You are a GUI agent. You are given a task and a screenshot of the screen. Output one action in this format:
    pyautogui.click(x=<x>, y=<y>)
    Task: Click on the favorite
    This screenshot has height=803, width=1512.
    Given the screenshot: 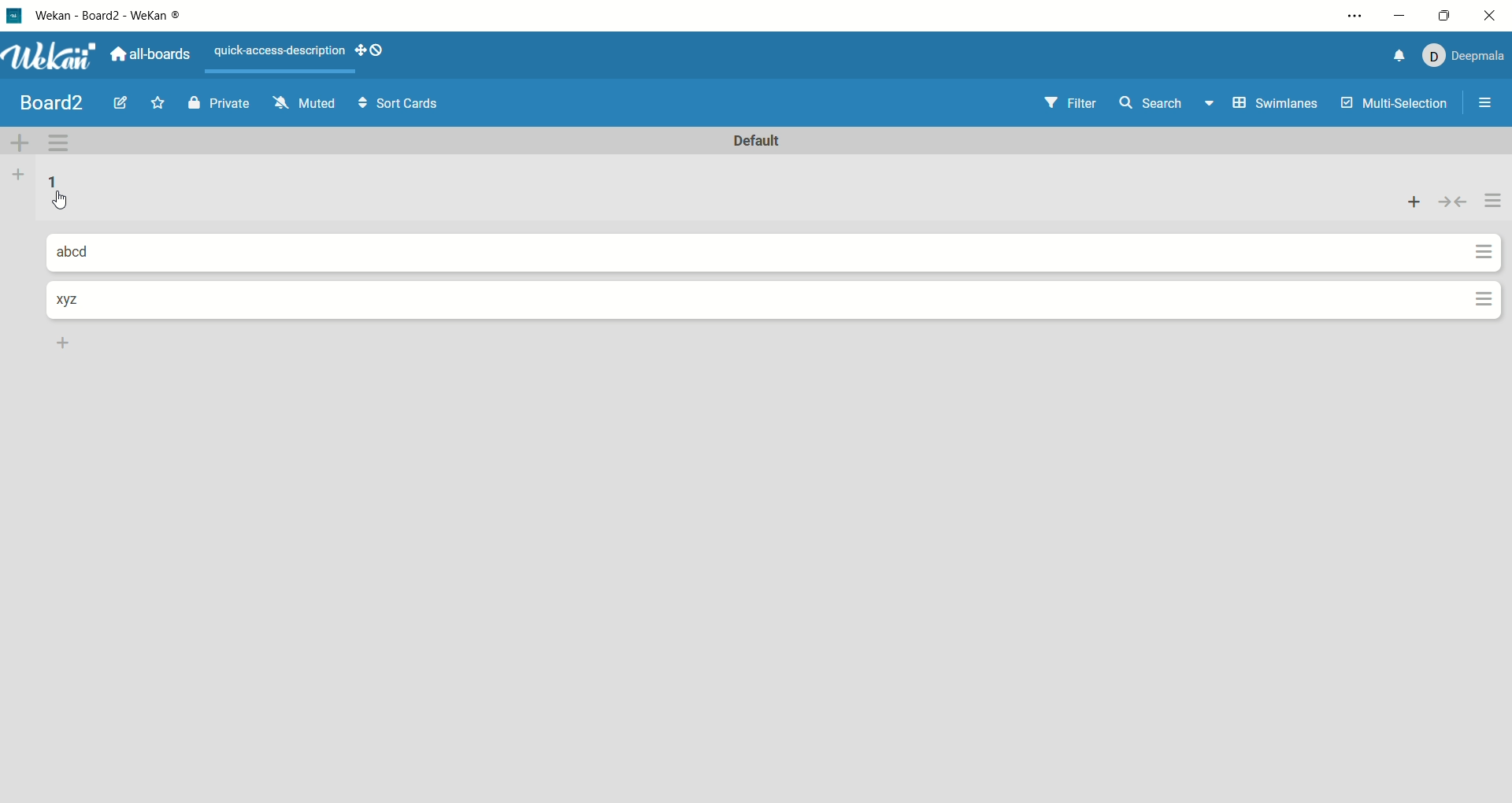 What is the action you would take?
    pyautogui.click(x=161, y=102)
    